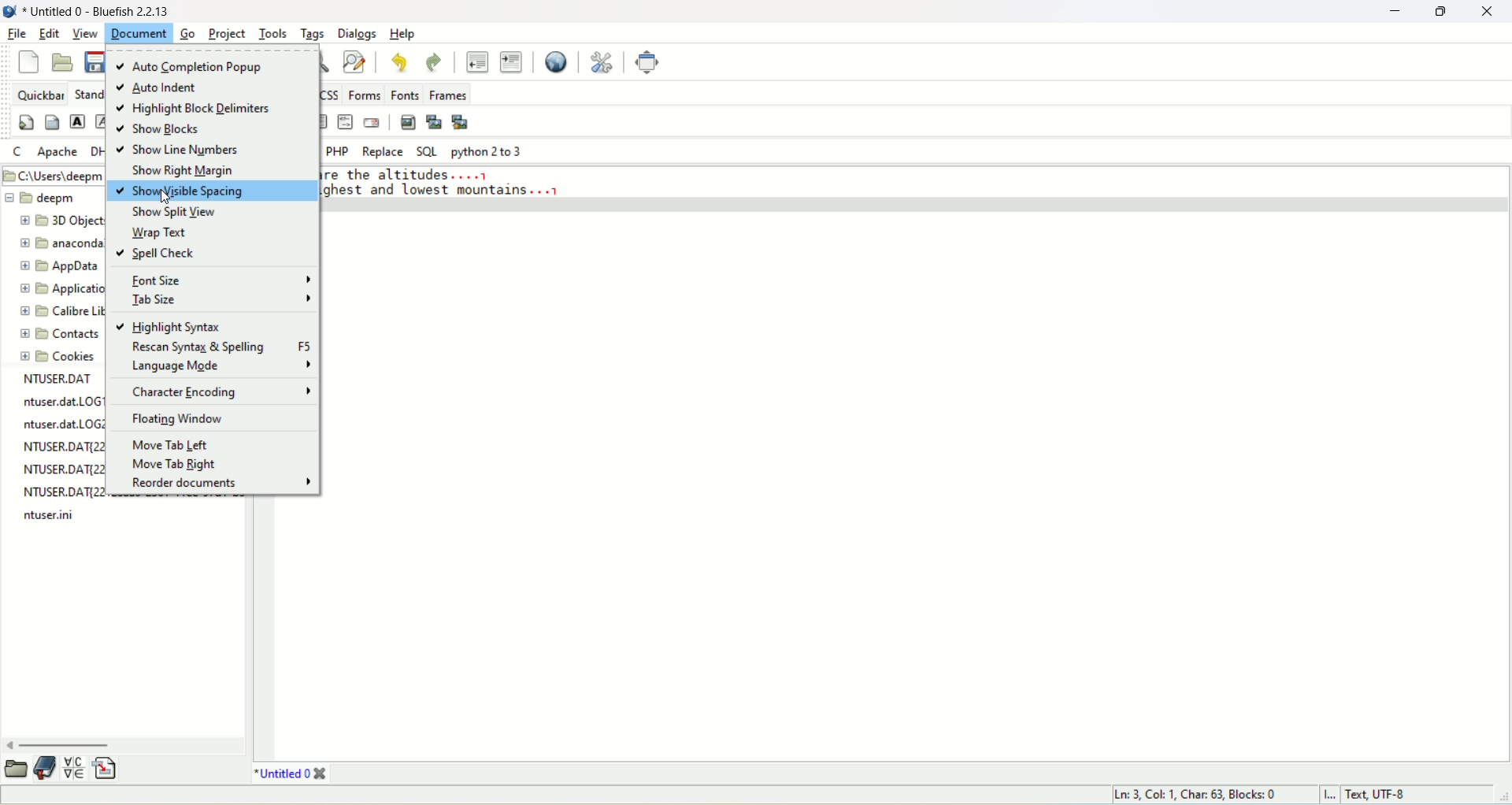  Describe the element at coordinates (97, 10) in the screenshot. I see `title` at that location.